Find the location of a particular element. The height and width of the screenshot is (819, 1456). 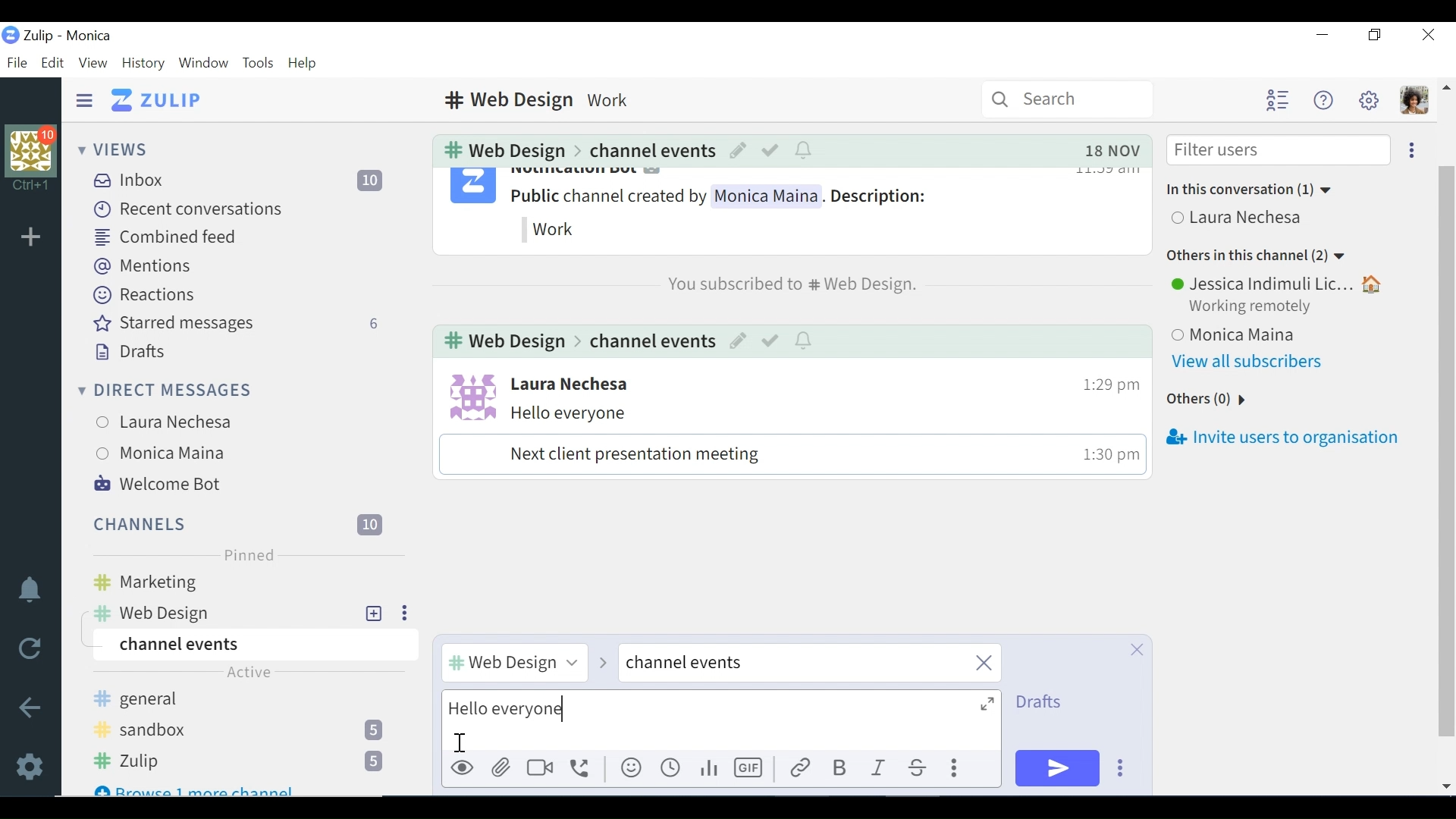

Starred messages is located at coordinates (238, 324).